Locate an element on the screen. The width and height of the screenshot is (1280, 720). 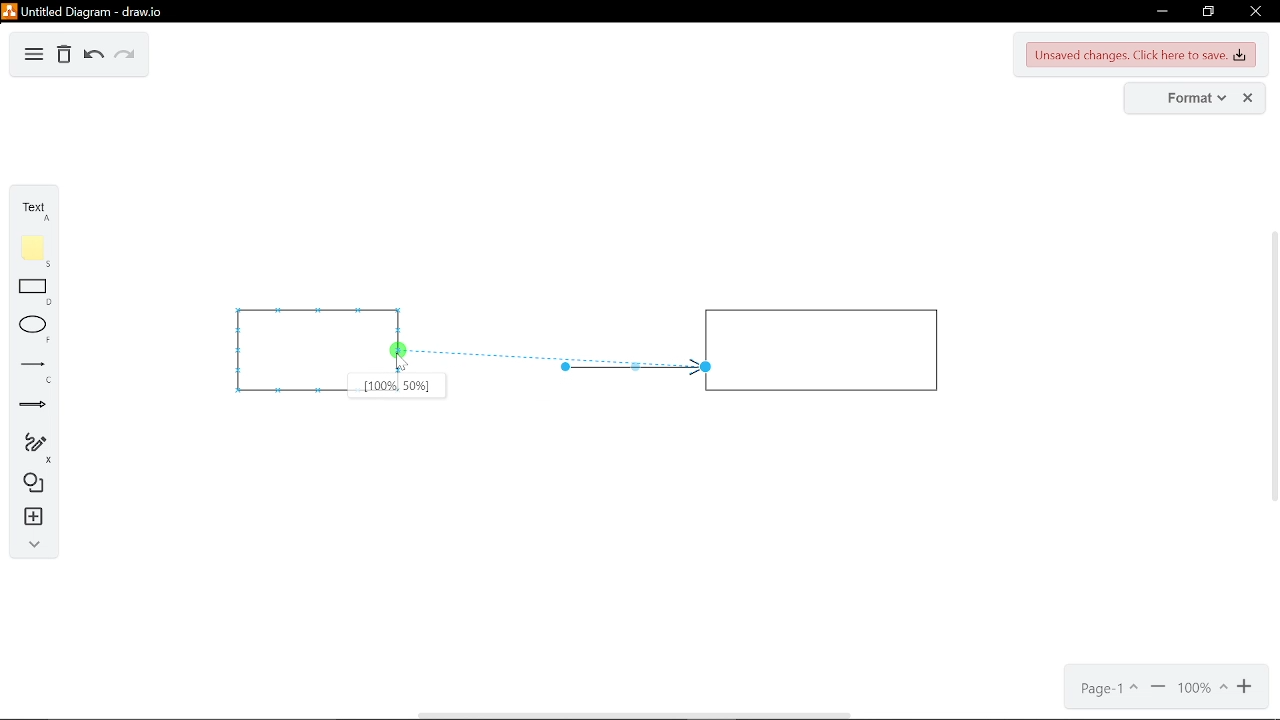
horizontal scrollbar is located at coordinates (638, 715).